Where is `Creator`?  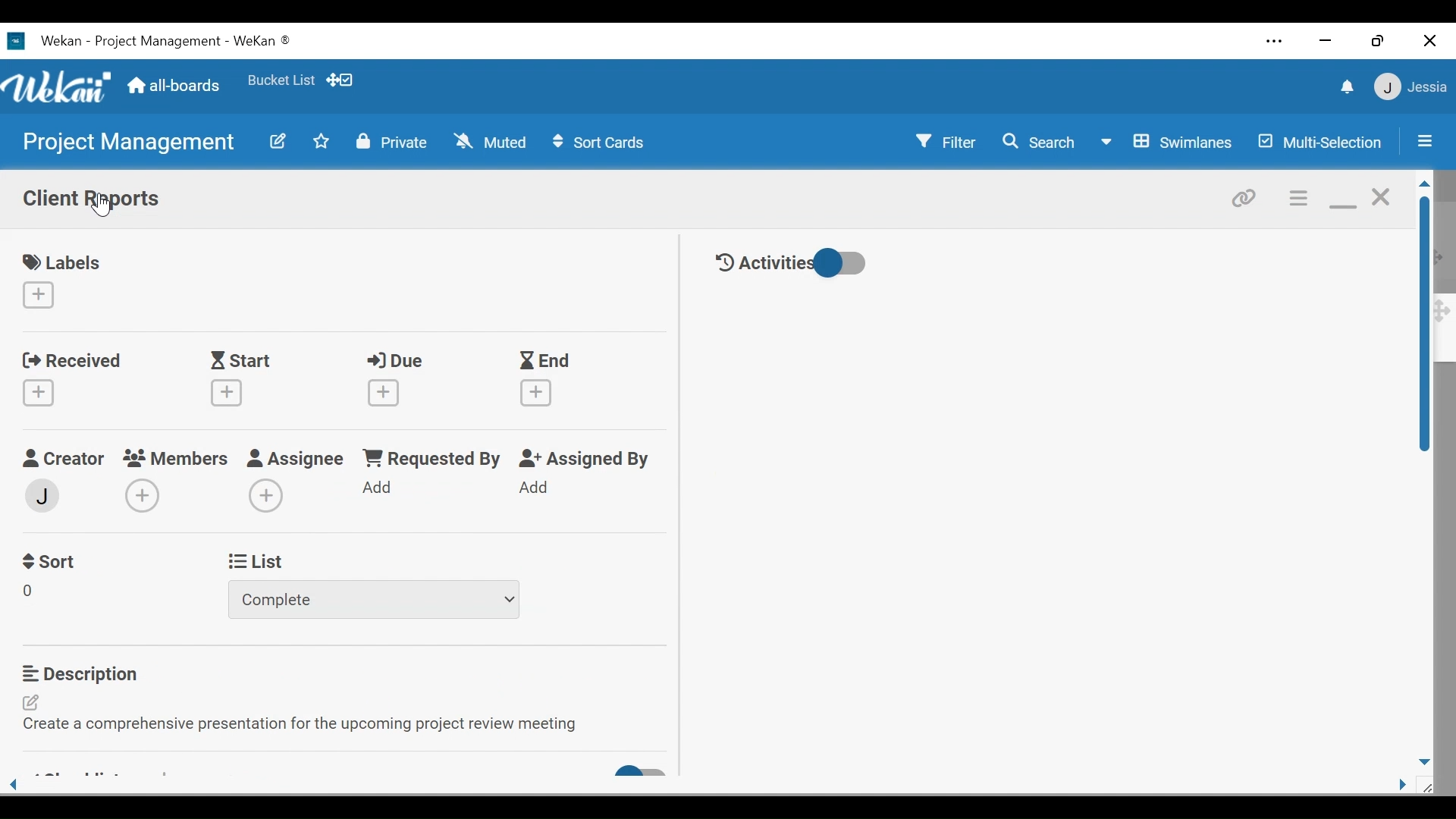 Creator is located at coordinates (64, 457).